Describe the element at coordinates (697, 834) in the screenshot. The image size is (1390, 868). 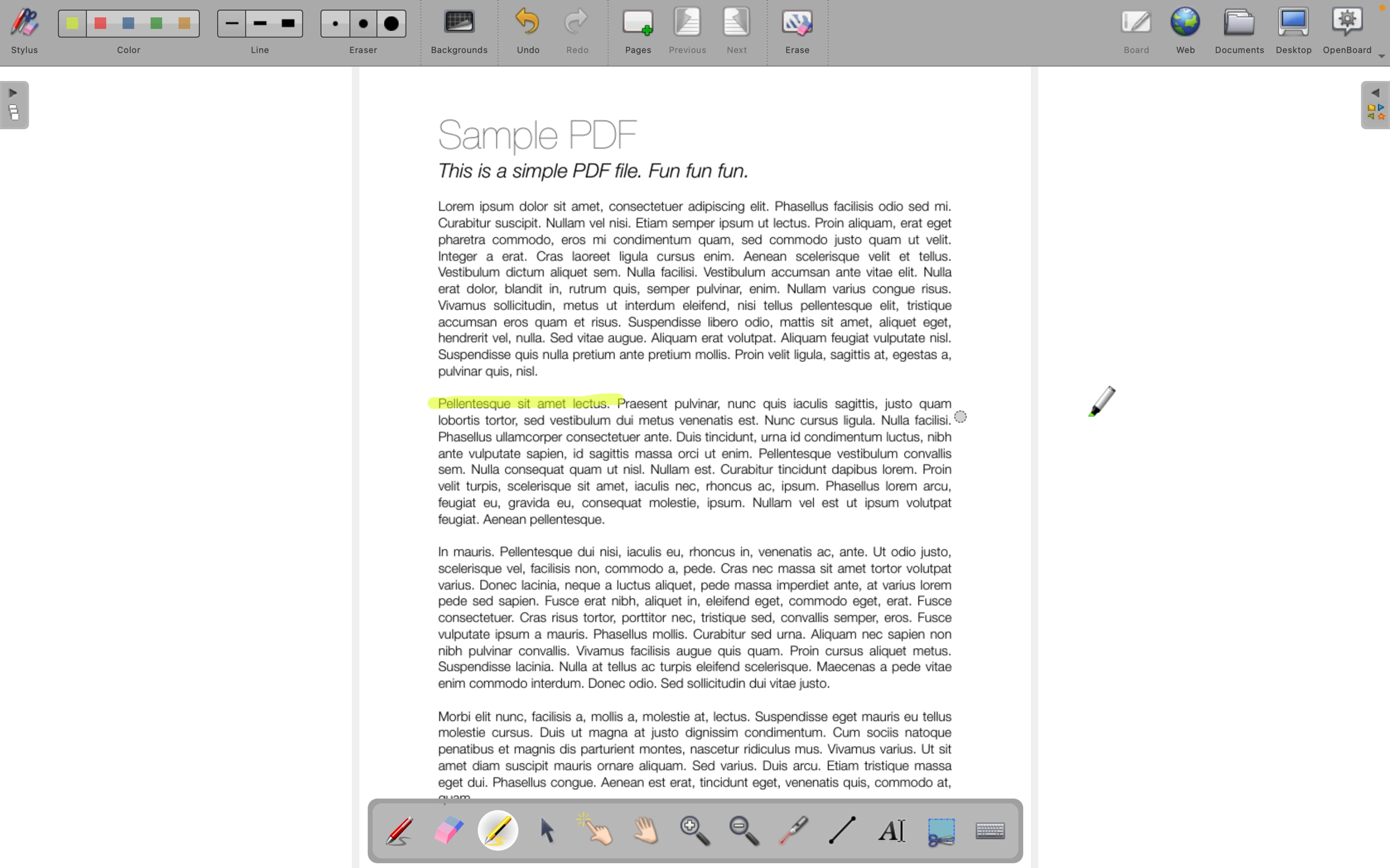
I see `zoom in` at that location.